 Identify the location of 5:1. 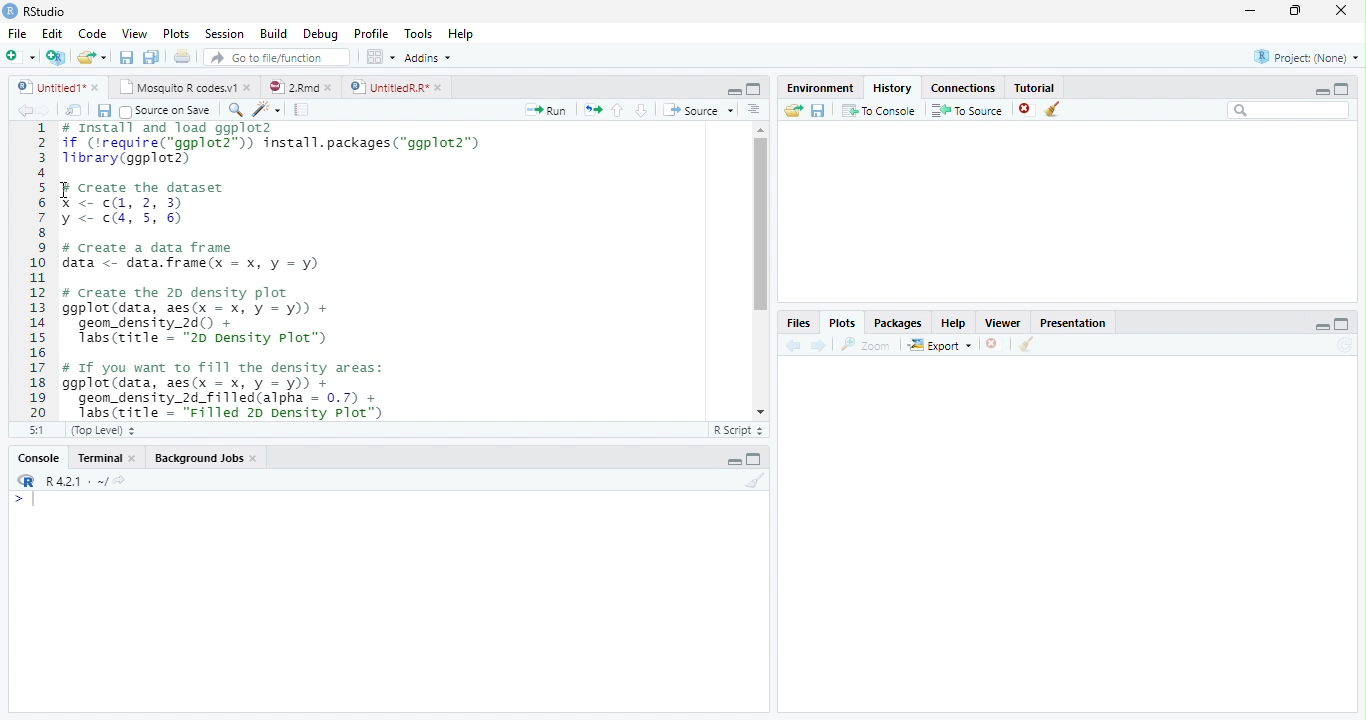
(33, 430).